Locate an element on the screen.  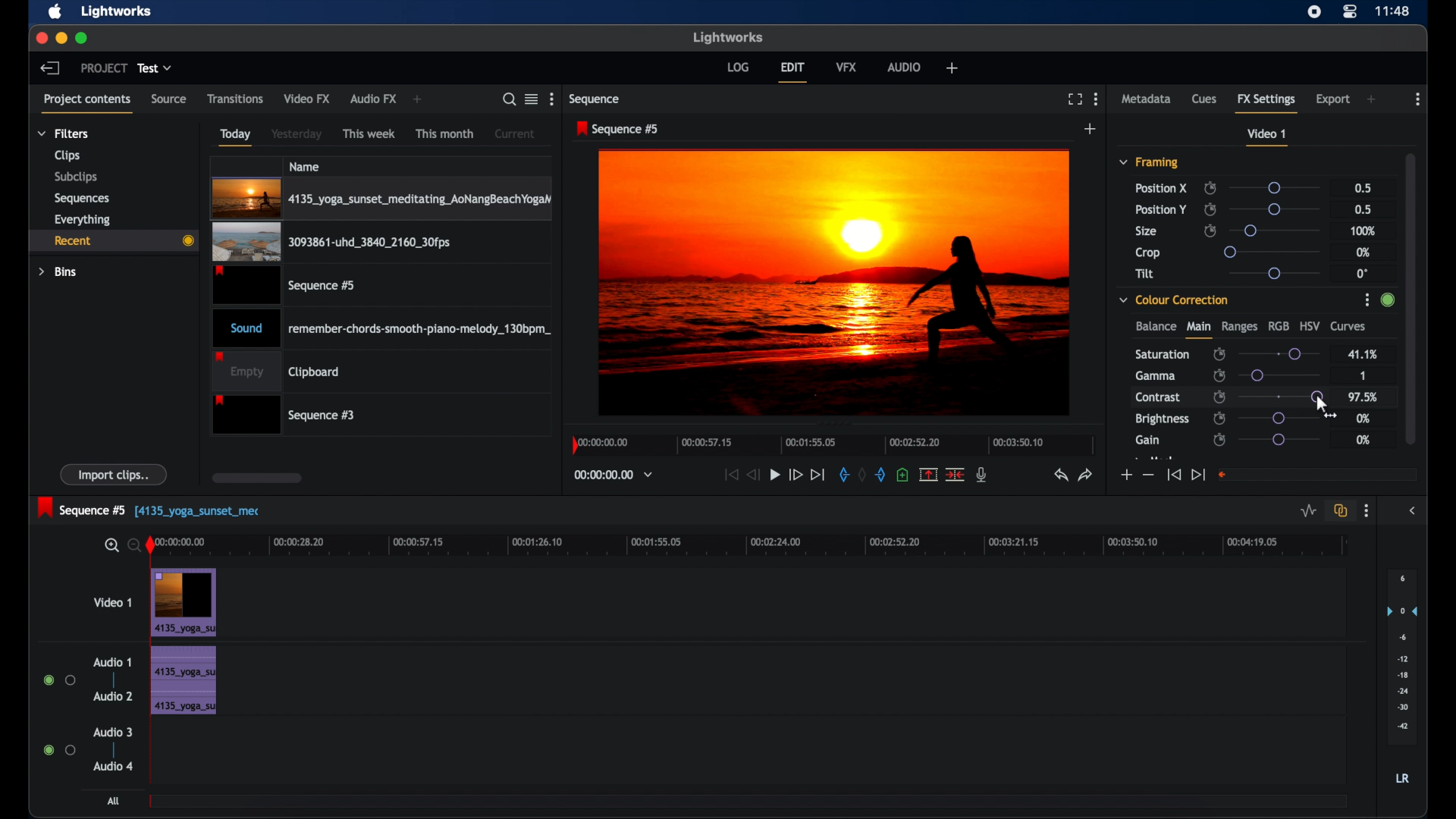
enable/disable keyframes is located at coordinates (1219, 418).